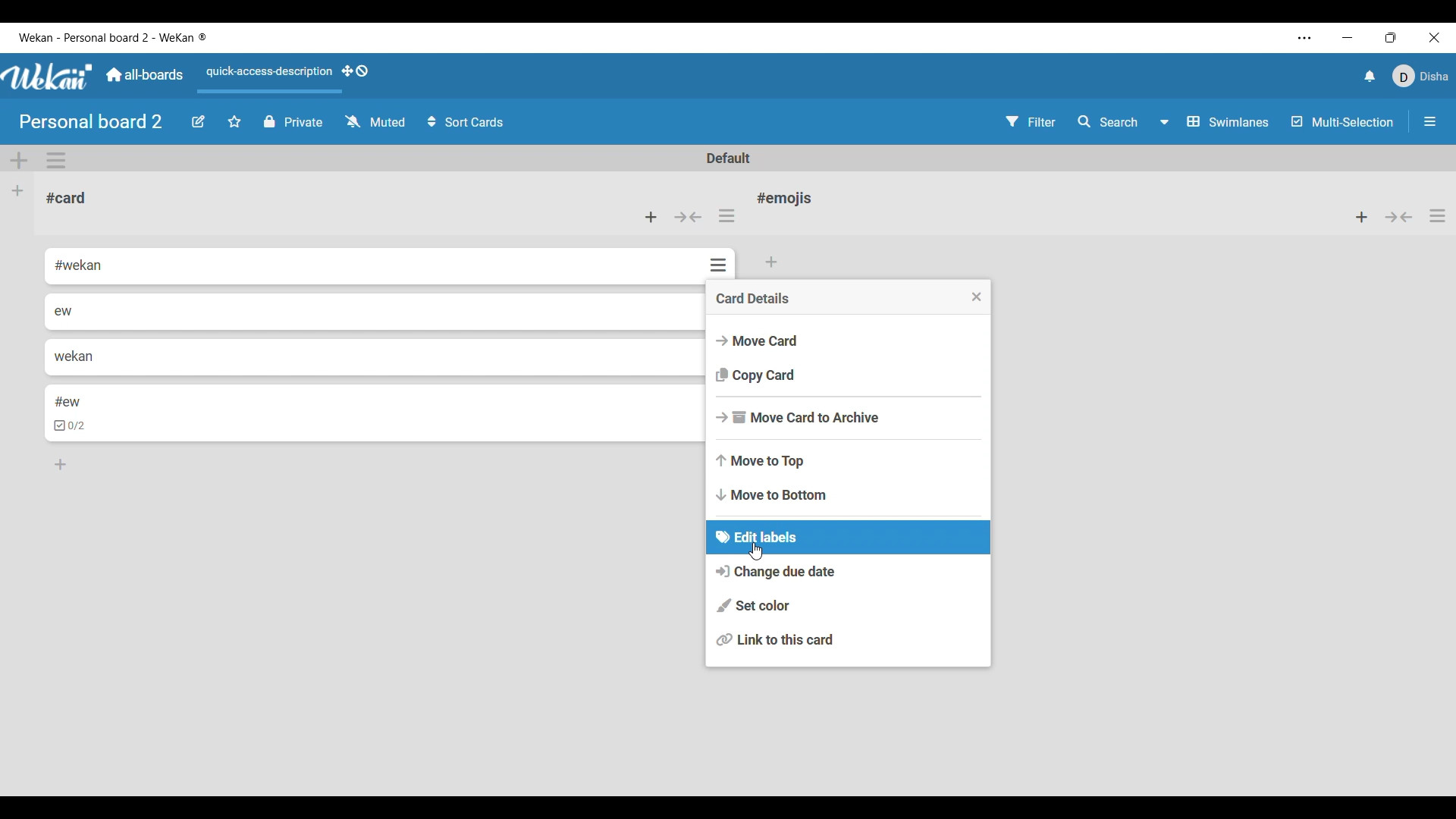 The width and height of the screenshot is (1456, 819). What do you see at coordinates (17, 191) in the screenshot?
I see `Add list` at bounding box center [17, 191].